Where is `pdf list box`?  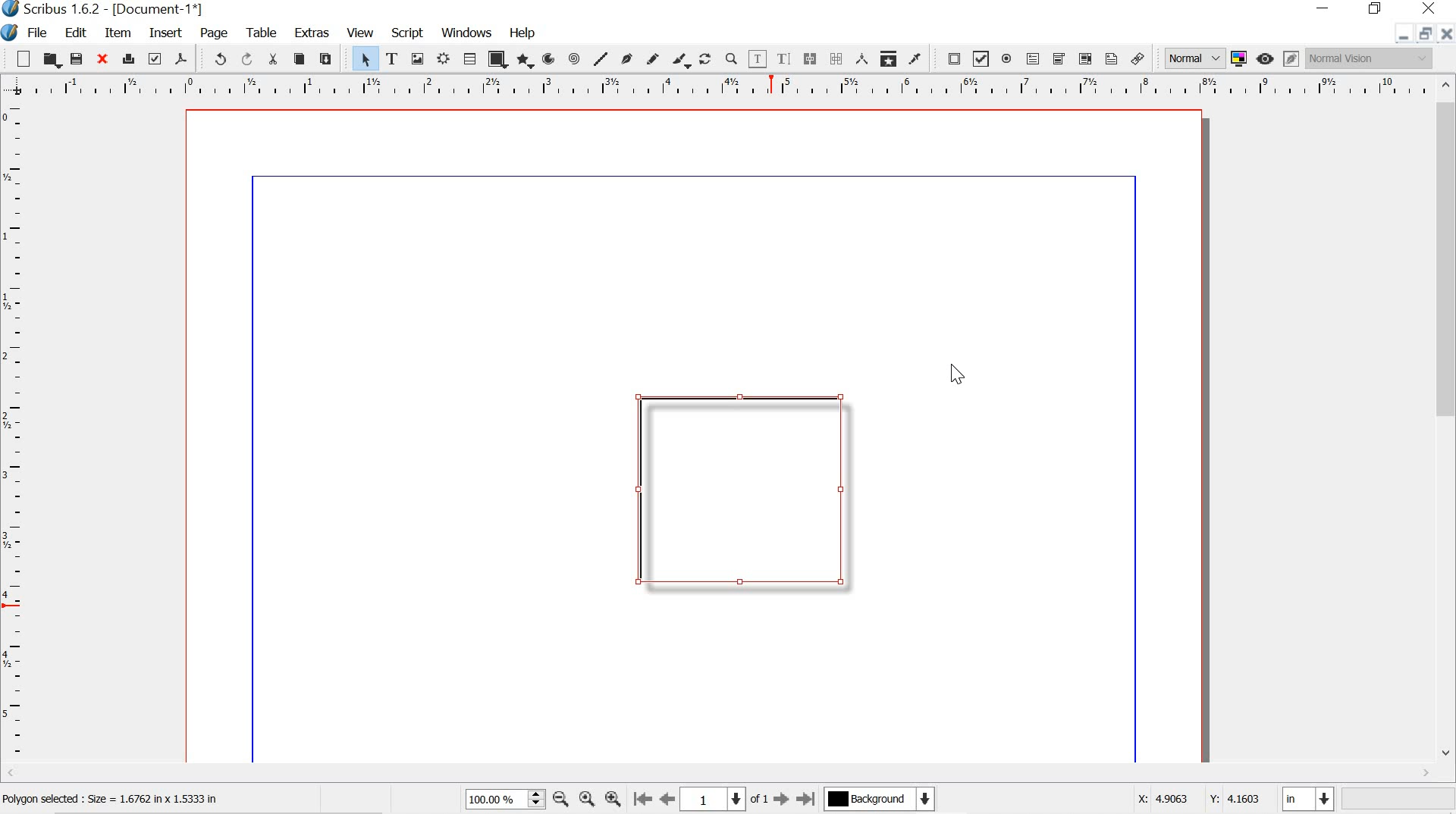
pdf list box is located at coordinates (1084, 58).